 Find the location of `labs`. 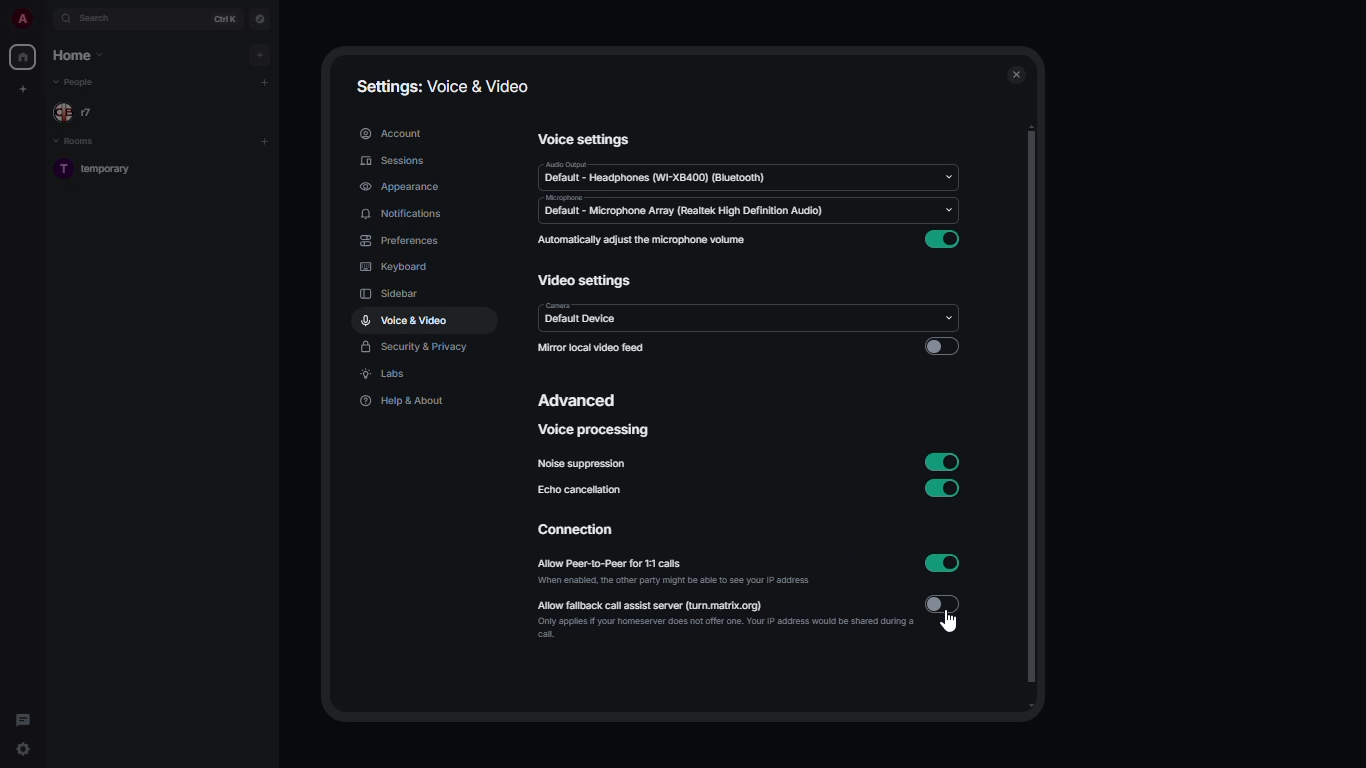

labs is located at coordinates (387, 375).